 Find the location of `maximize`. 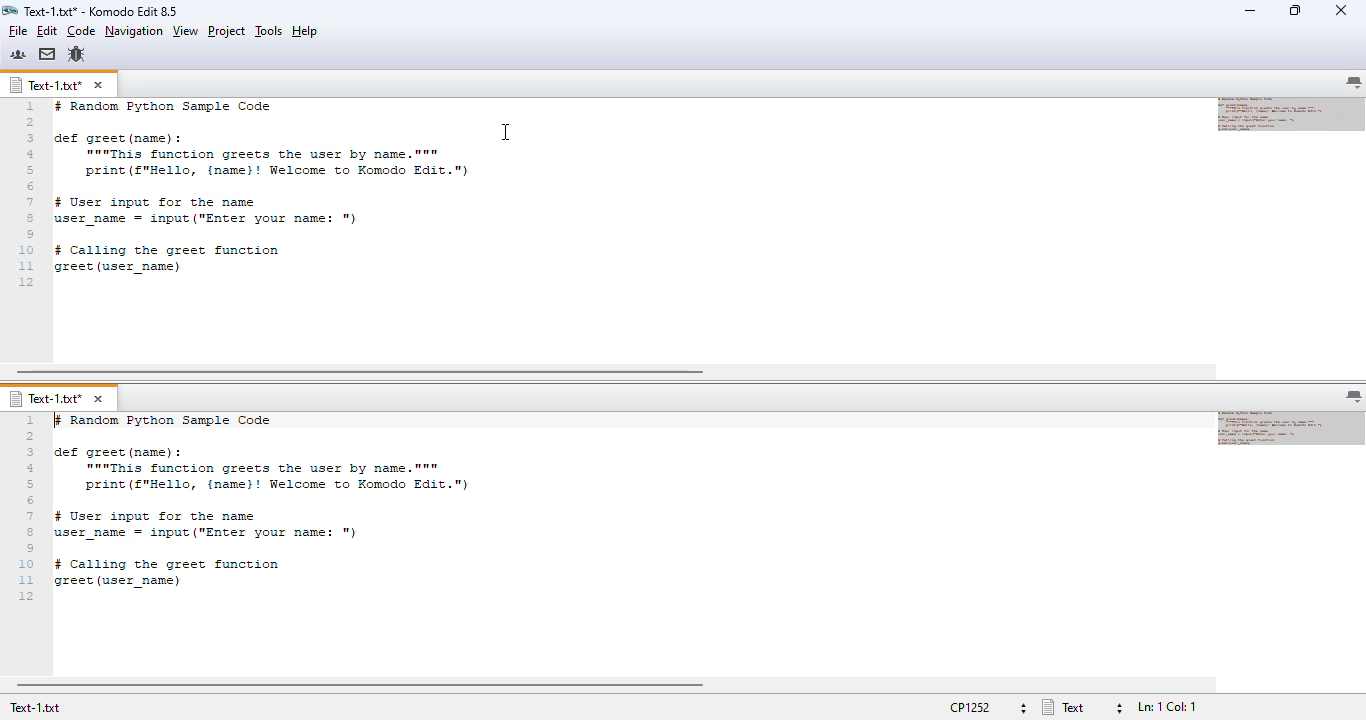

maximize is located at coordinates (1295, 10).